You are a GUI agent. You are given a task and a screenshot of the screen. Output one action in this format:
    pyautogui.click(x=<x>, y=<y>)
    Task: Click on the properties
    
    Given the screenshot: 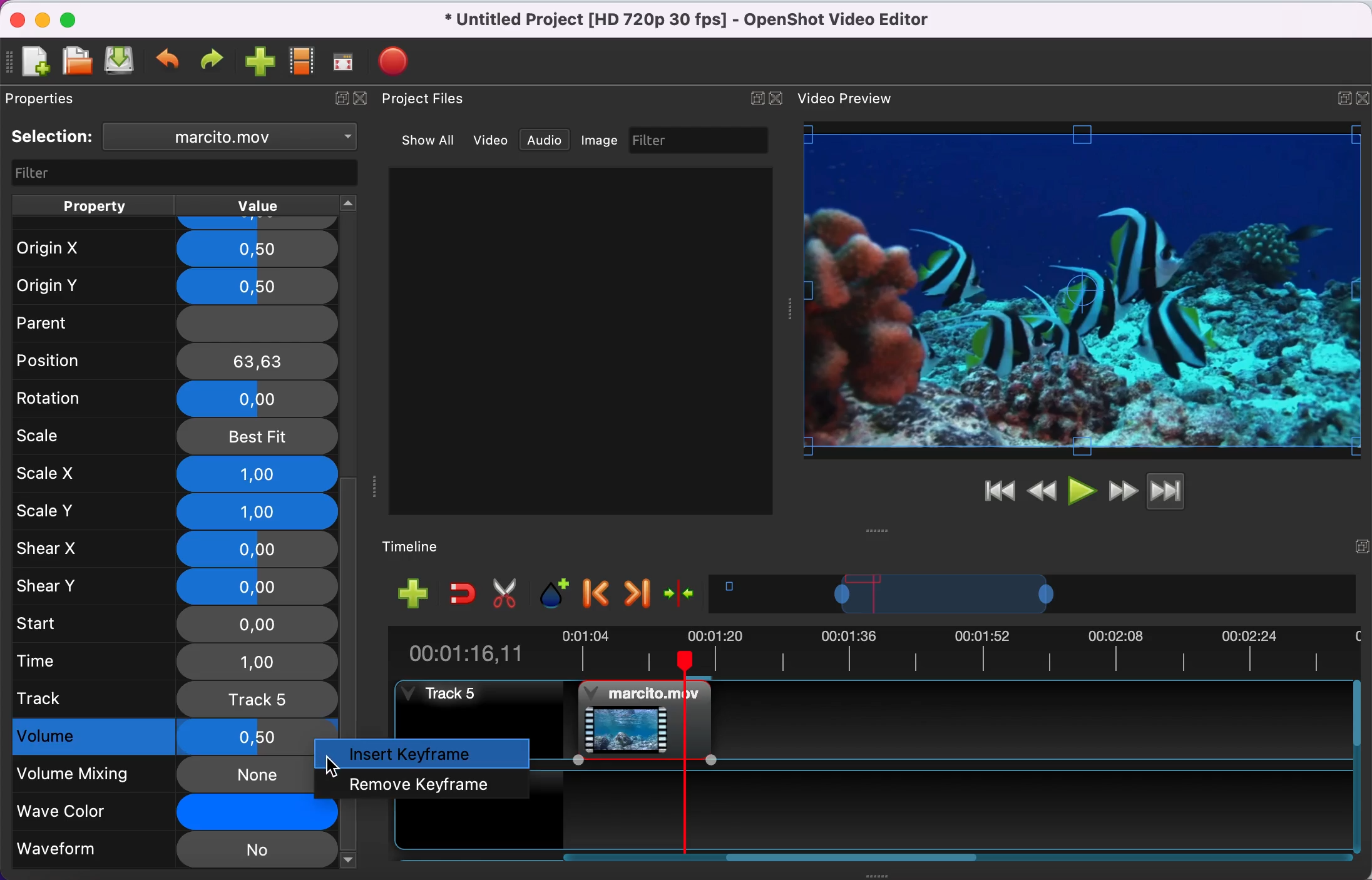 What is the action you would take?
    pyautogui.click(x=60, y=101)
    